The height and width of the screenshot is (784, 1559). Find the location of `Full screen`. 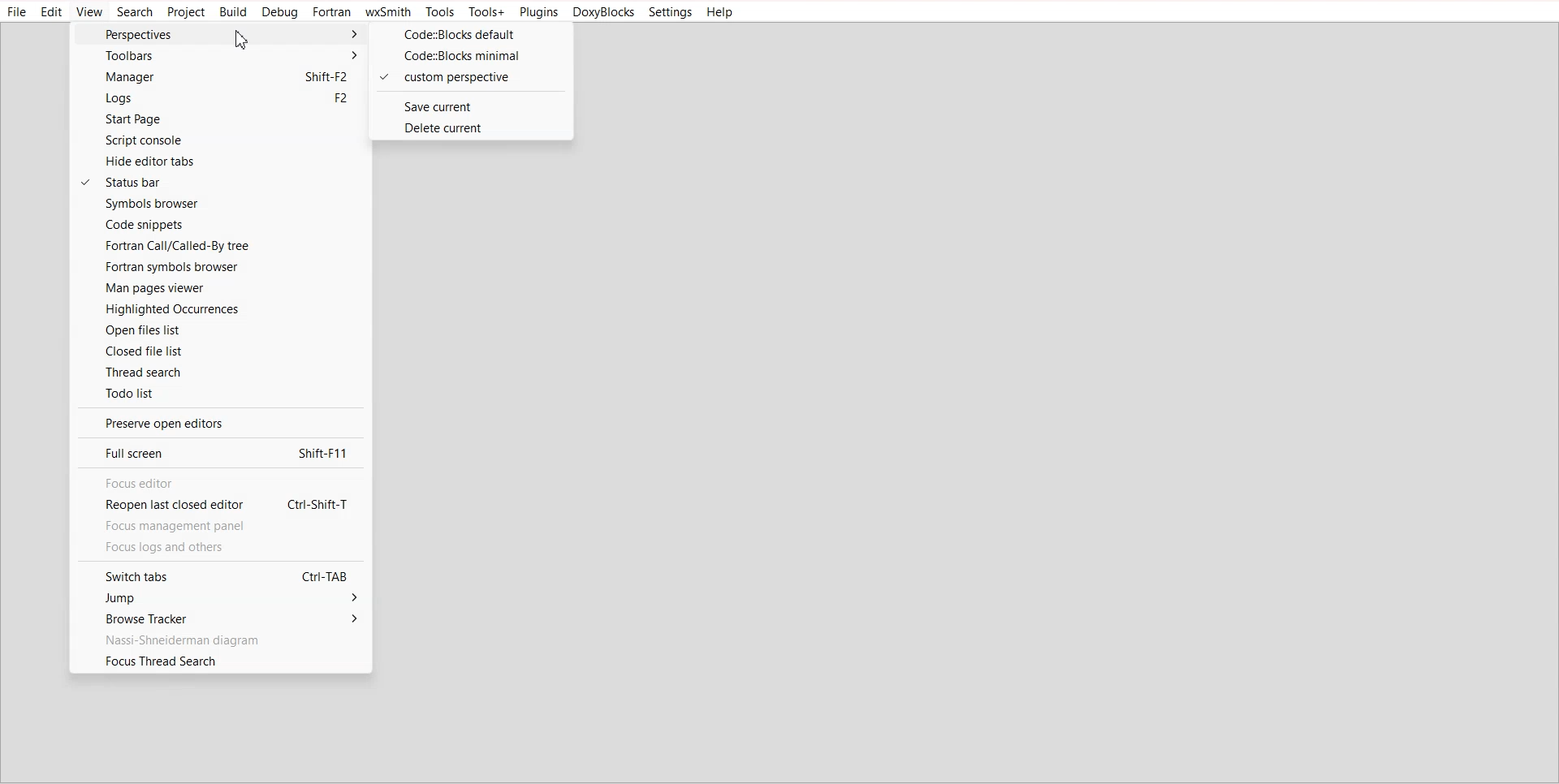

Full screen is located at coordinates (216, 452).